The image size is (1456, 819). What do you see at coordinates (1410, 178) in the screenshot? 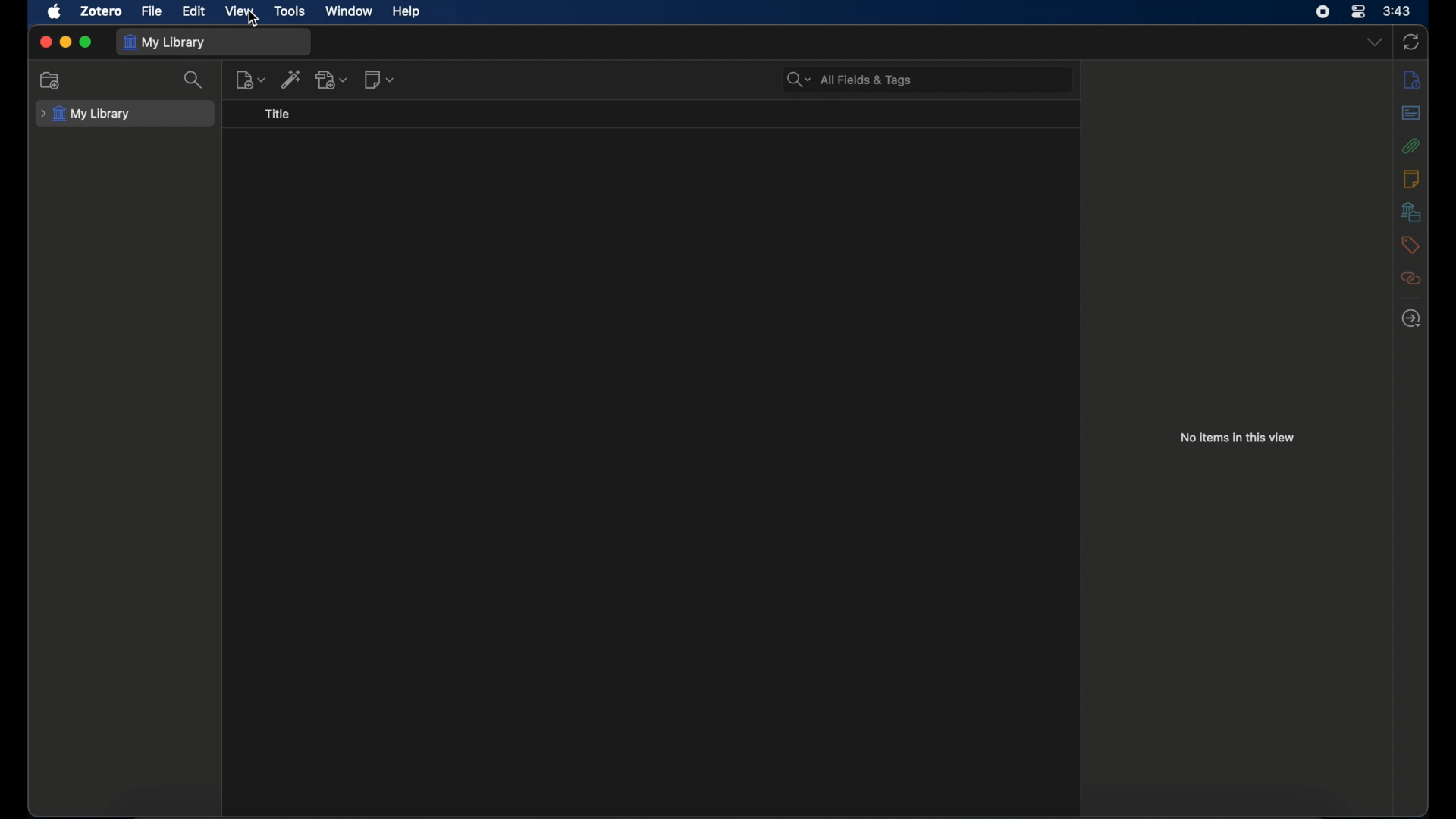
I see `notes` at bounding box center [1410, 178].